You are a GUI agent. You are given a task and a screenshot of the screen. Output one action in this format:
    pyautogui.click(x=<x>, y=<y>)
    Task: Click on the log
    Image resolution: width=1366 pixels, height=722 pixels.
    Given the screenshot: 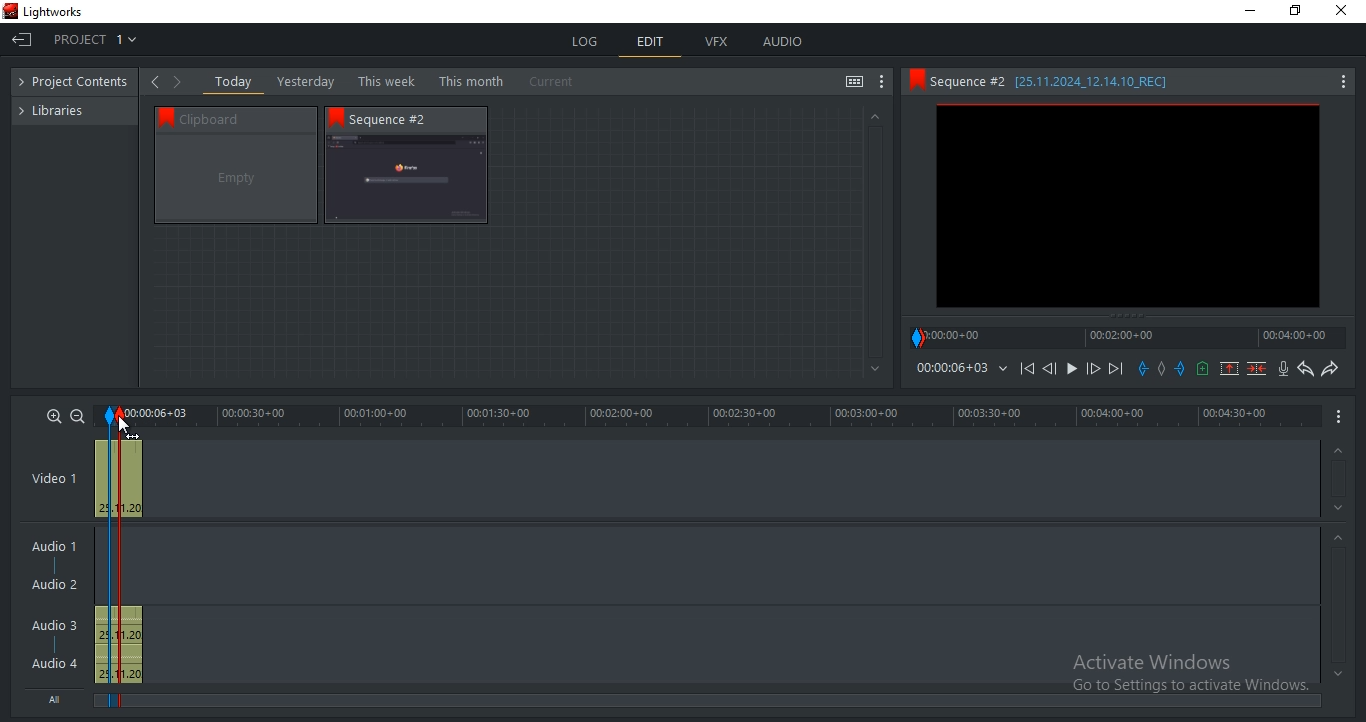 What is the action you would take?
    pyautogui.click(x=587, y=41)
    